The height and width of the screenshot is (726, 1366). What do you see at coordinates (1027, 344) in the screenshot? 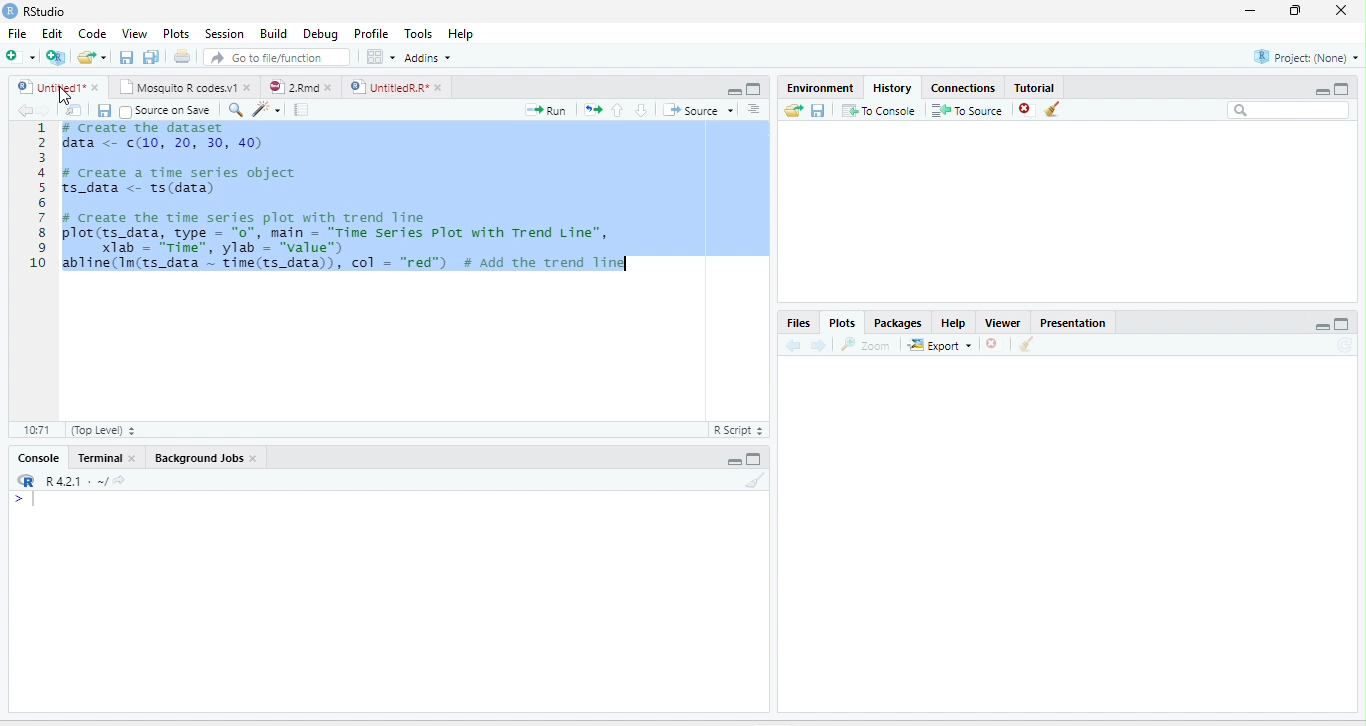
I see `Clear all plots` at bounding box center [1027, 344].